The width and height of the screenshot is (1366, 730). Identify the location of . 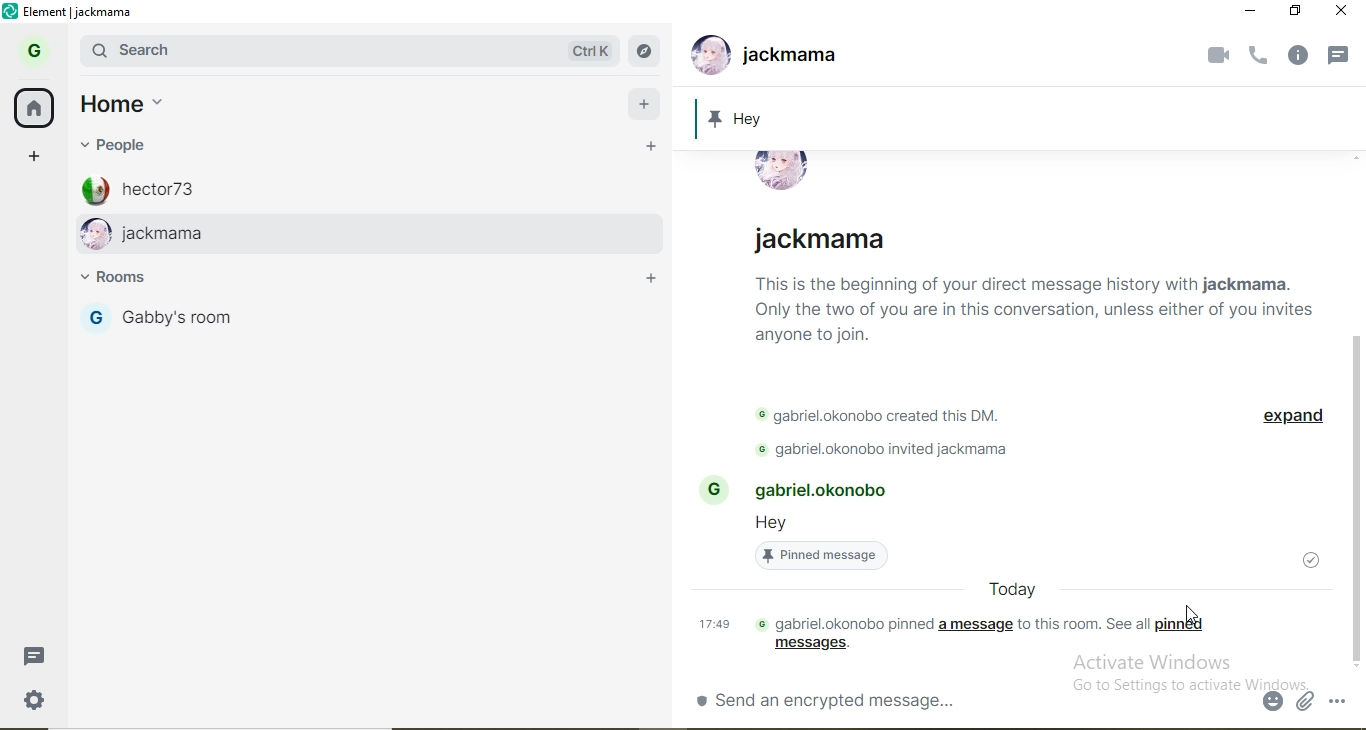
(1357, 502).